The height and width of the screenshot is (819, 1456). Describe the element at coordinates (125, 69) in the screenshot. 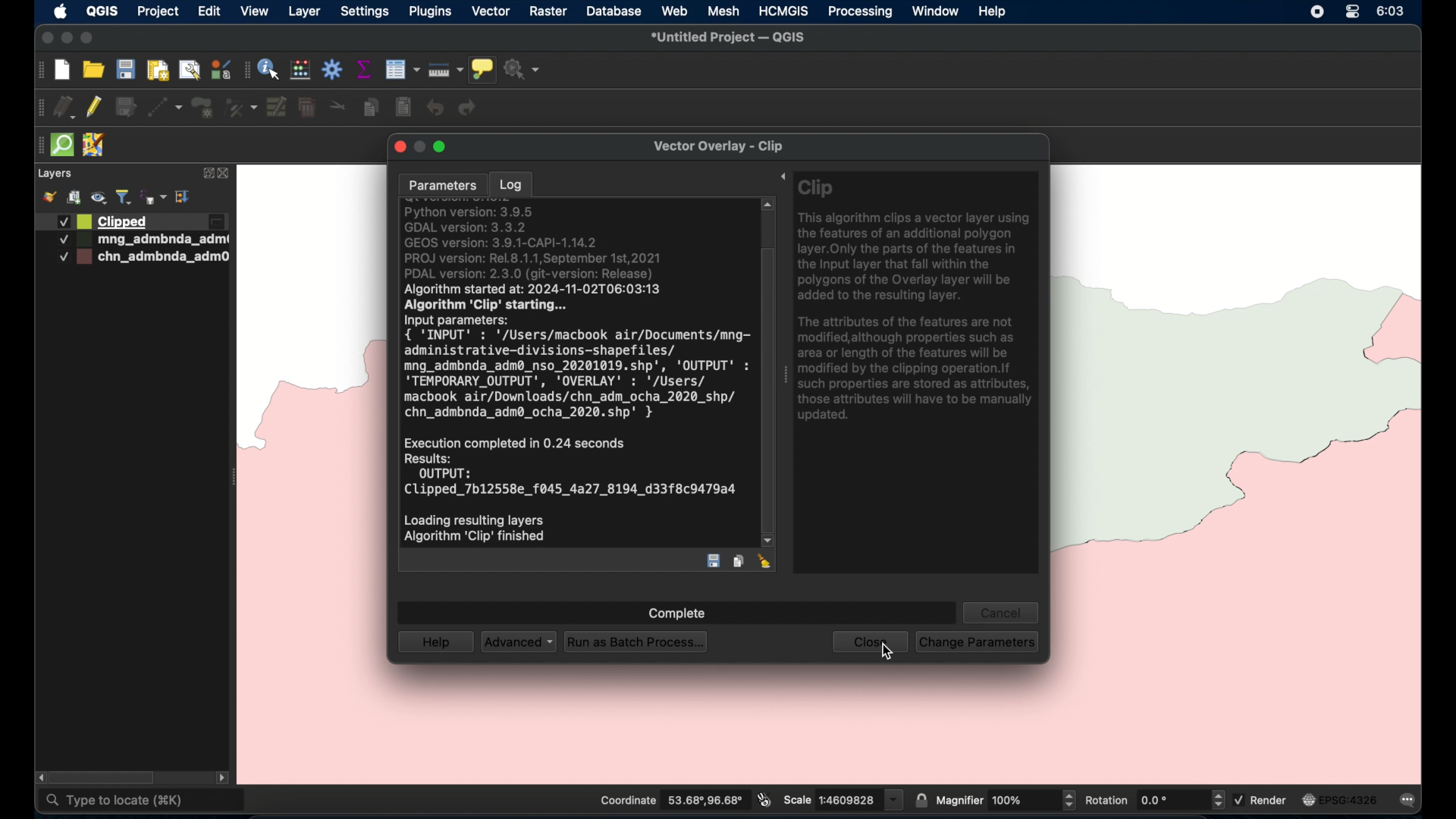

I see `save project` at that location.